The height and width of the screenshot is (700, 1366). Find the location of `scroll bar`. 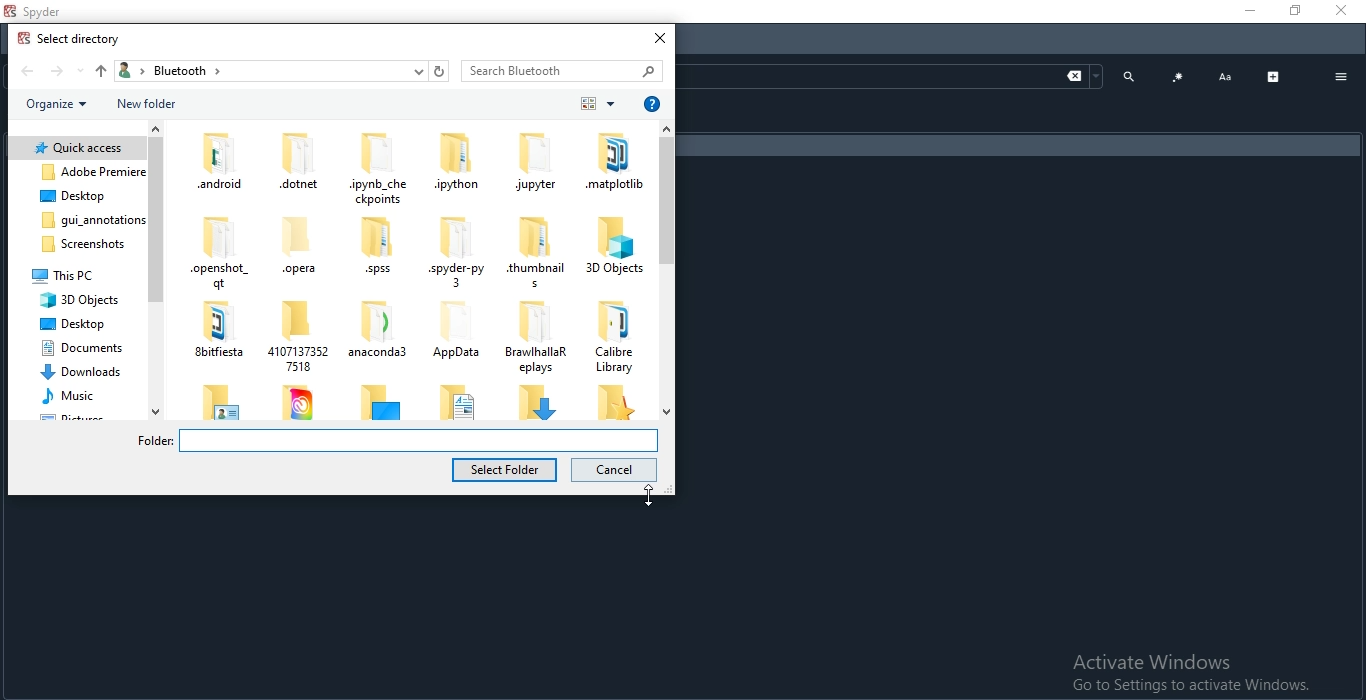

scroll bar is located at coordinates (667, 269).